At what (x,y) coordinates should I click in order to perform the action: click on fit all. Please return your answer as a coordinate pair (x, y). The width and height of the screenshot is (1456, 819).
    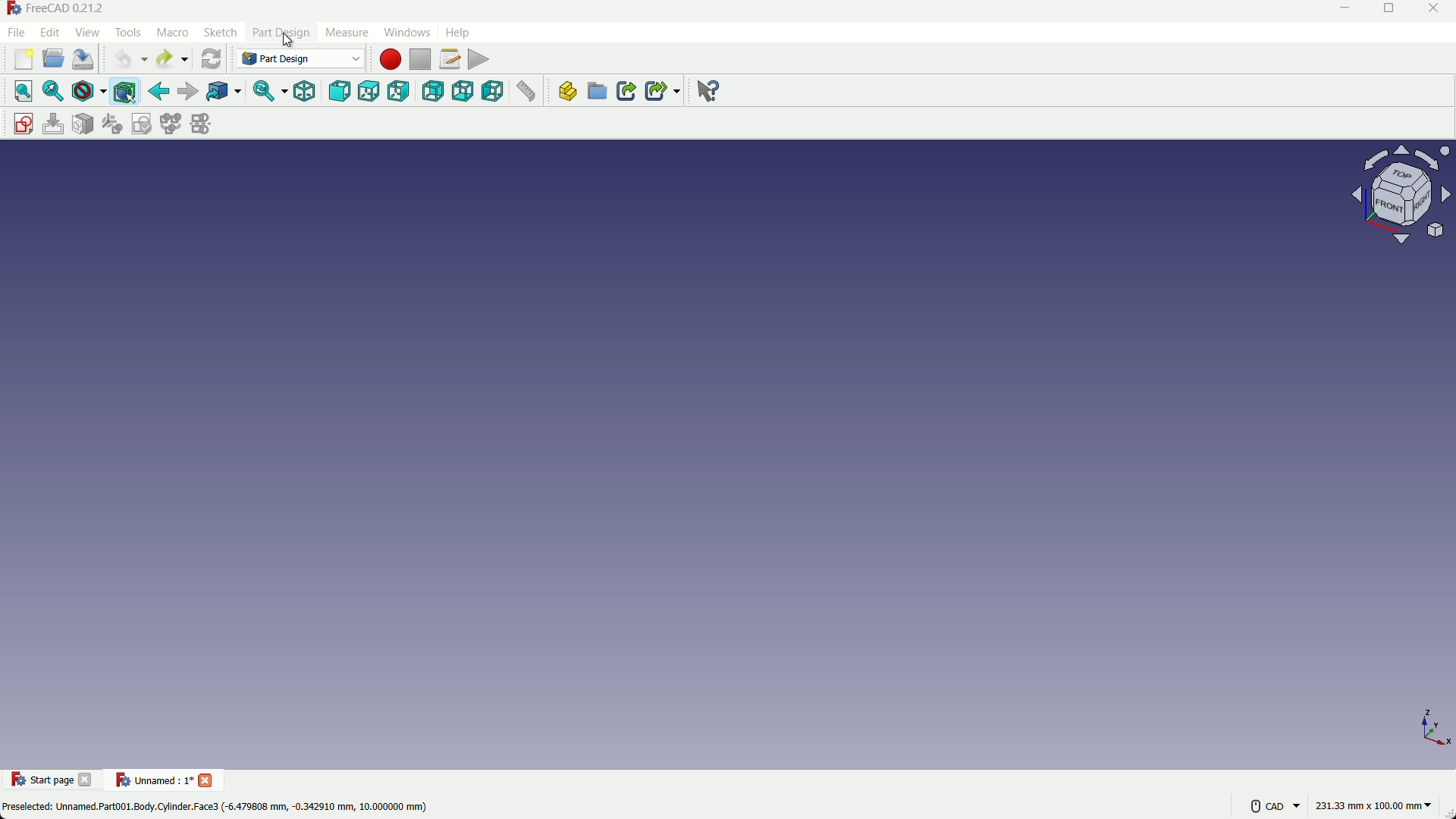
    Looking at the image, I should click on (24, 90).